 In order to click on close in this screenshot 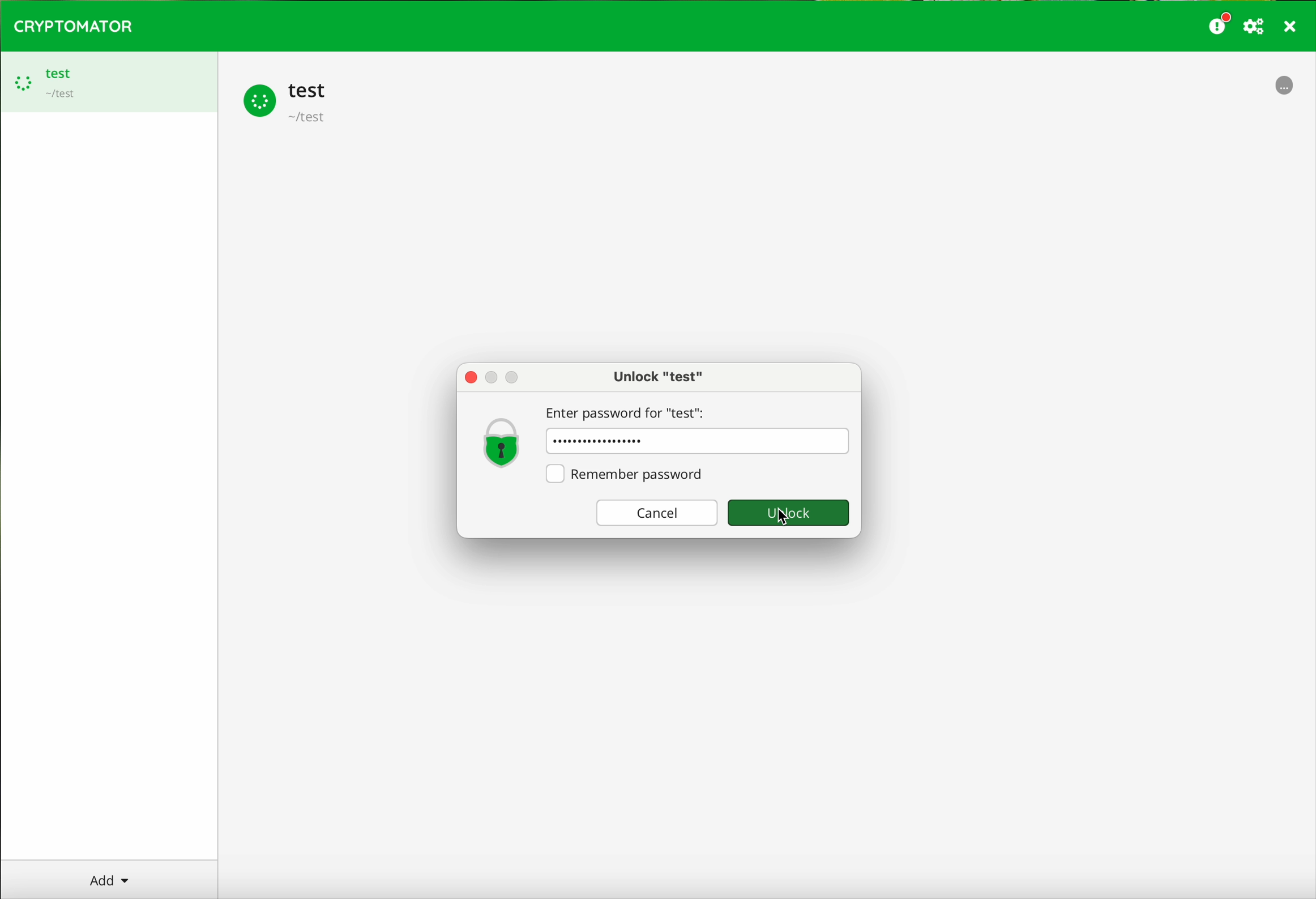, I will do `click(1291, 28)`.